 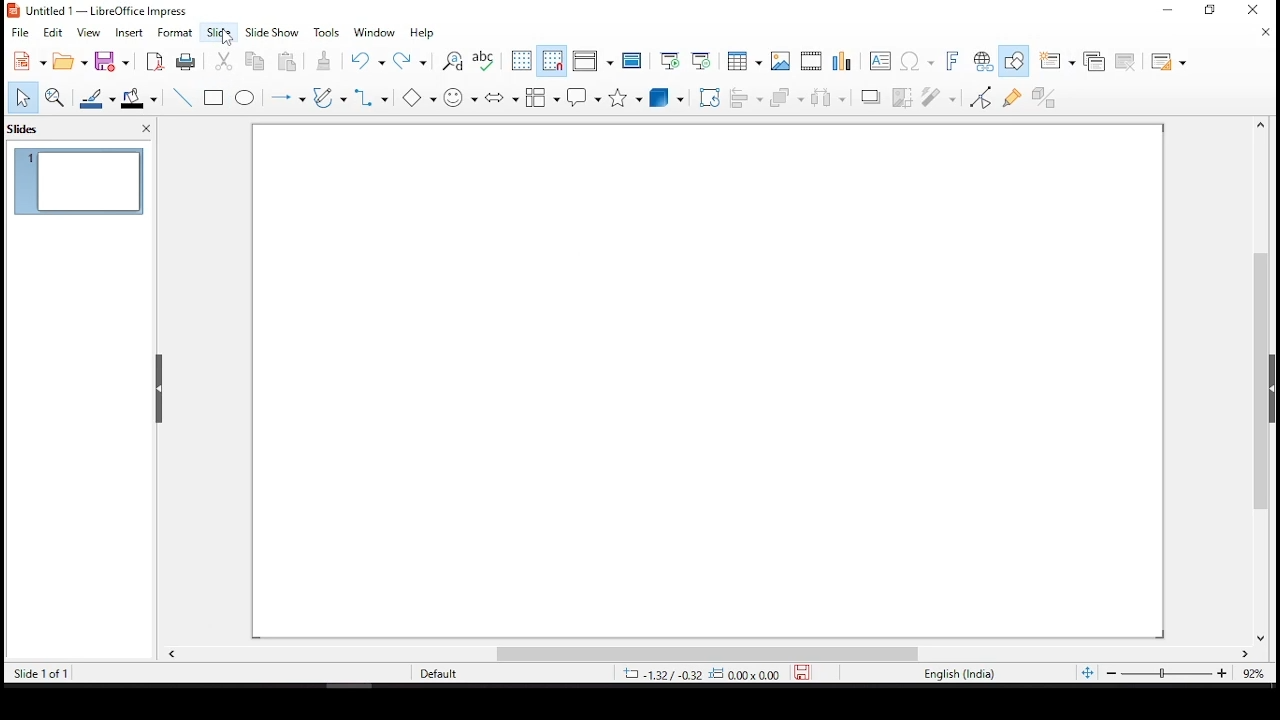 I want to click on edit, so click(x=52, y=31).